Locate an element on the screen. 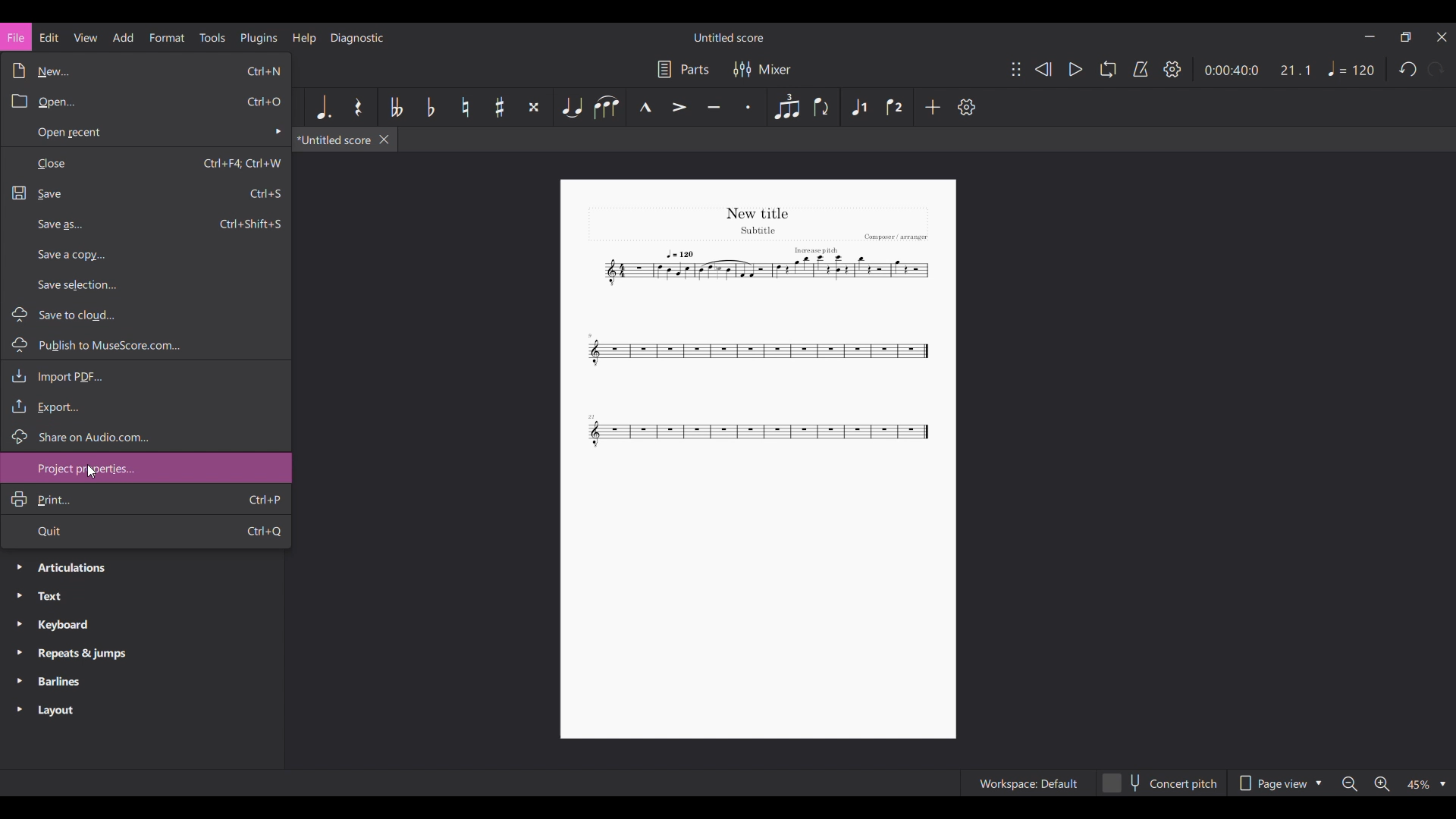  Add menu is located at coordinates (124, 37).